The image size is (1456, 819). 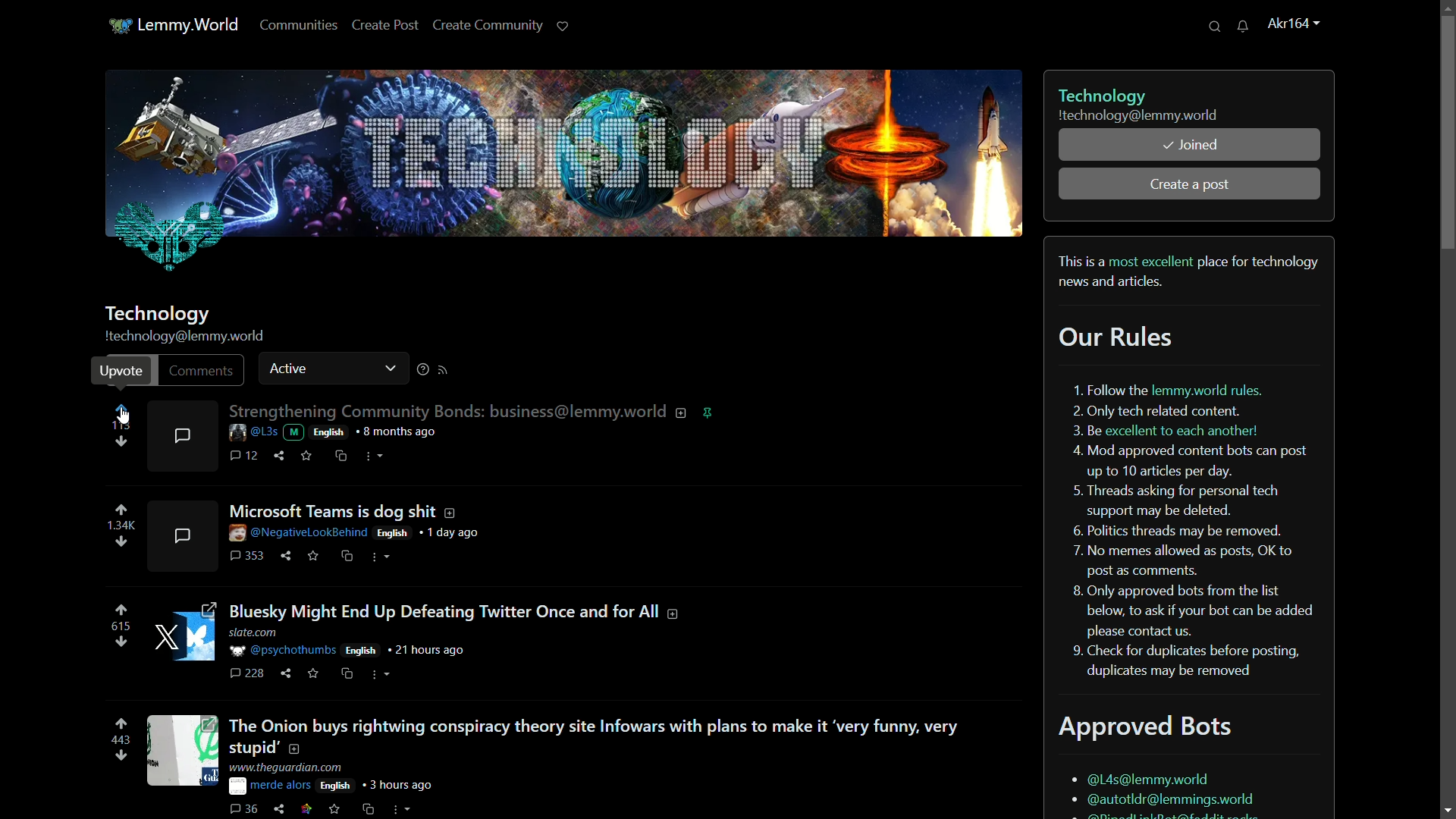 What do you see at coordinates (247, 808) in the screenshot?
I see `comments` at bounding box center [247, 808].